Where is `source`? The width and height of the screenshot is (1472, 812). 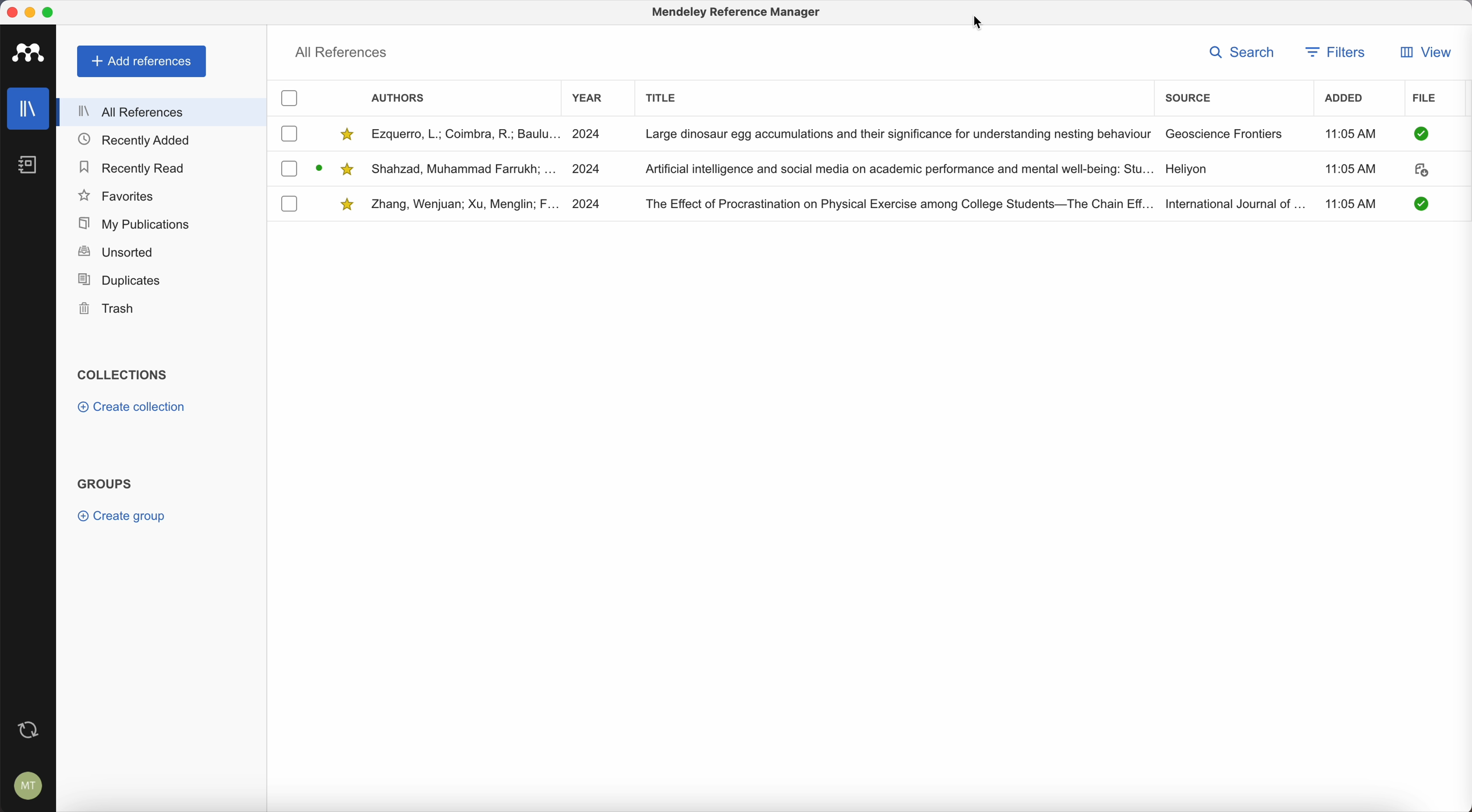 source is located at coordinates (1188, 96).